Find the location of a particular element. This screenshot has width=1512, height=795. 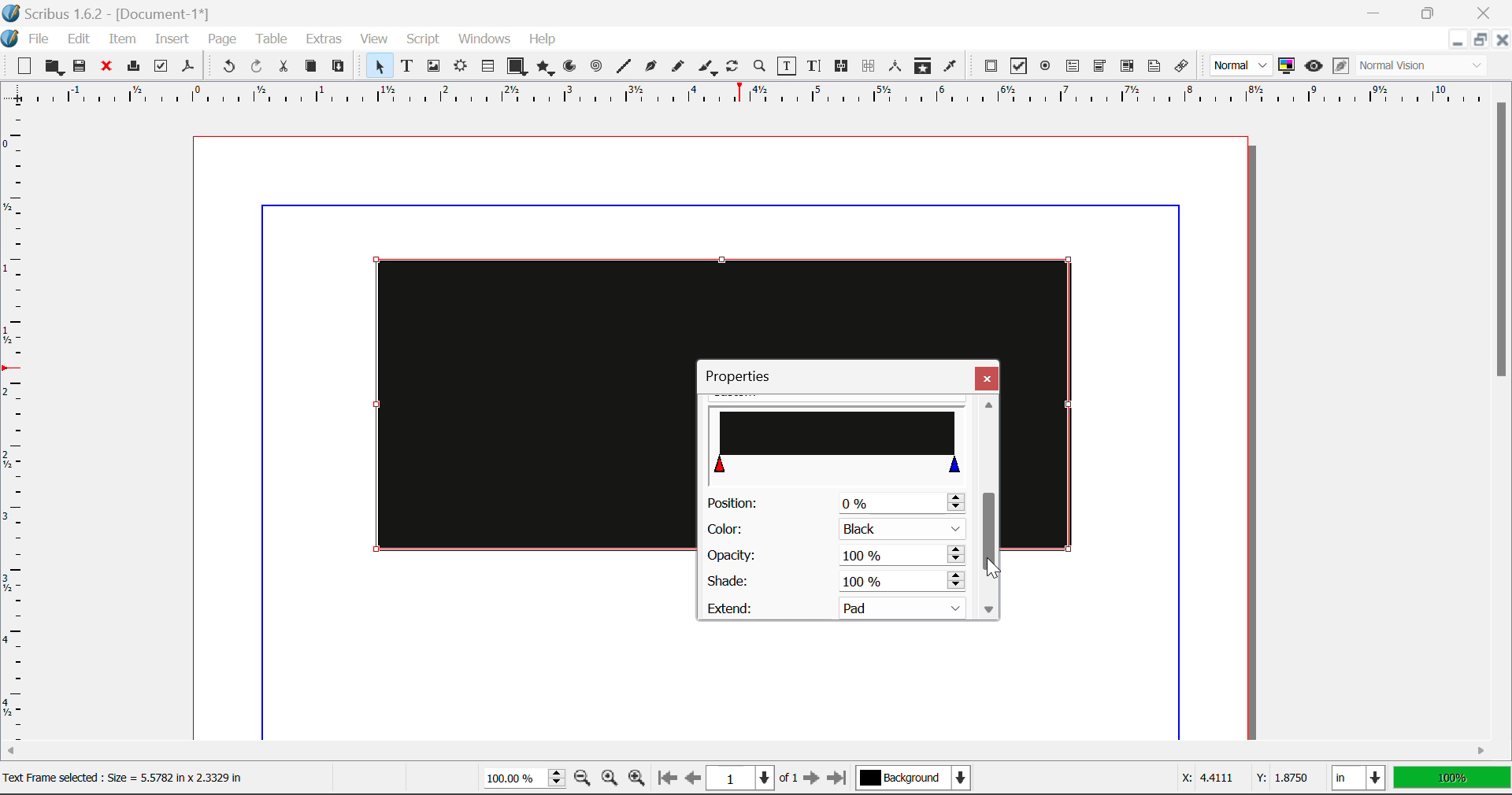

Undo is located at coordinates (228, 68).